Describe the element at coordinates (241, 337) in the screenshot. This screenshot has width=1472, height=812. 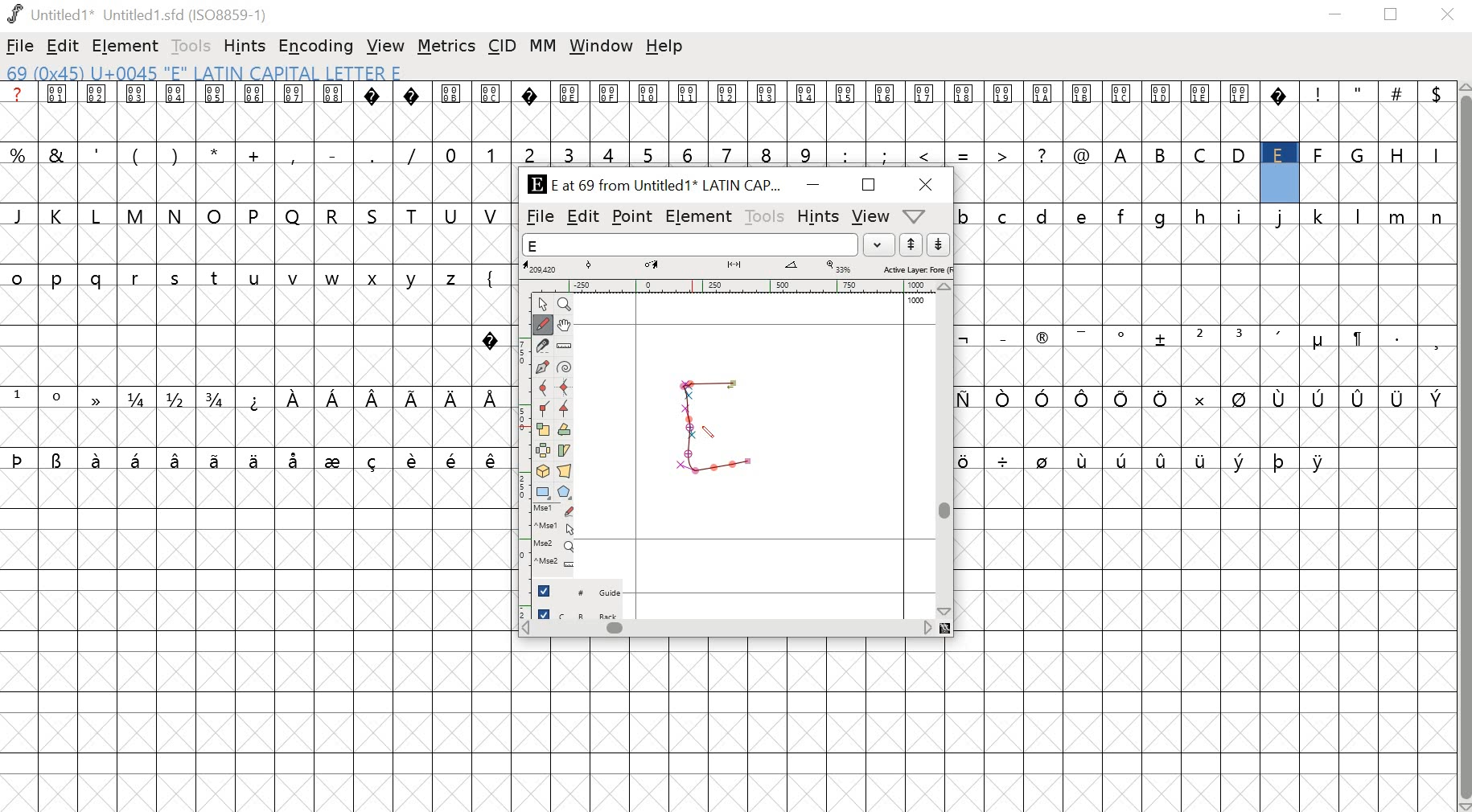
I see `empty cells` at that location.